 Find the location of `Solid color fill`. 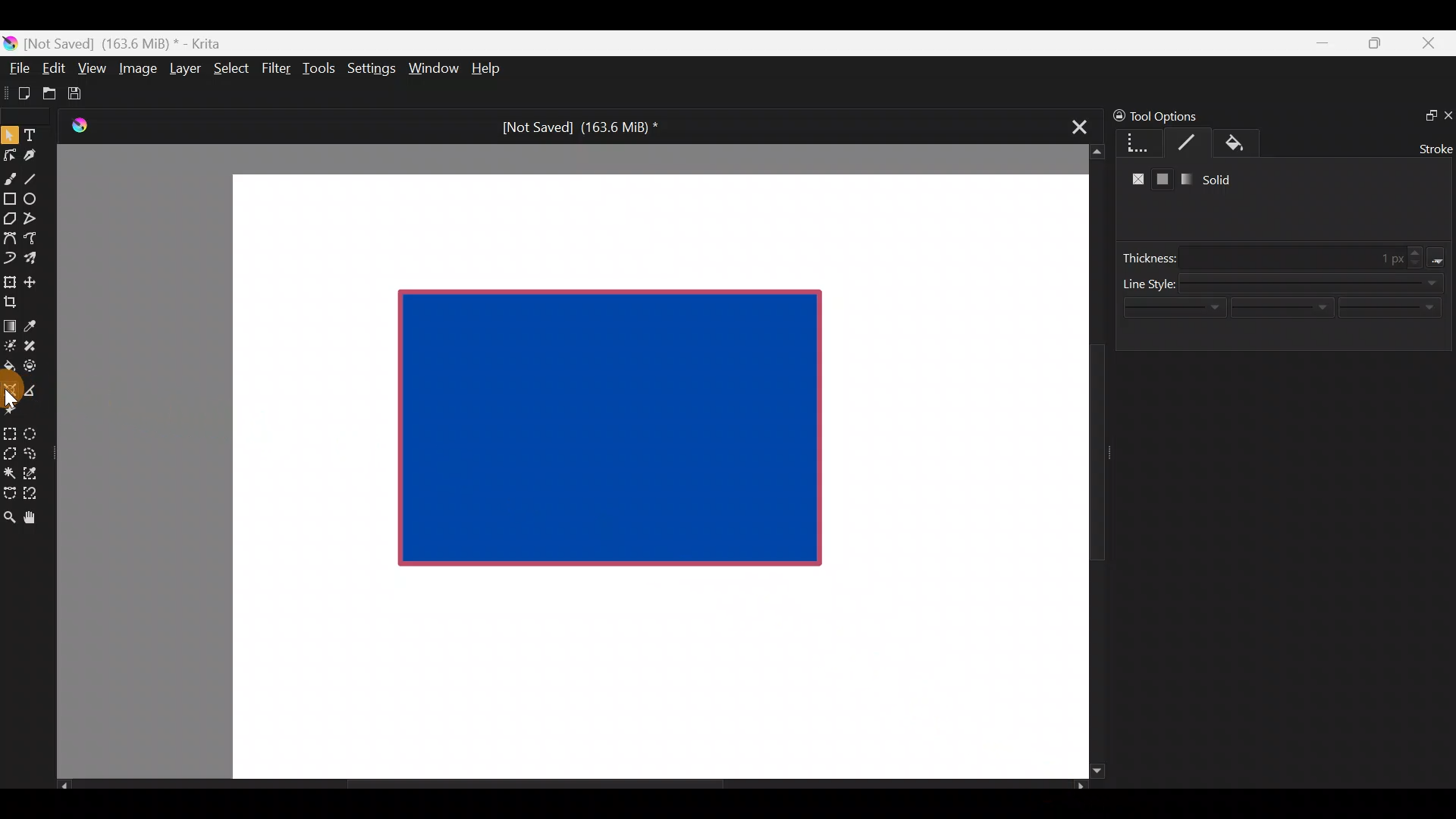

Solid color fill is located at coordinates (1163, 180).